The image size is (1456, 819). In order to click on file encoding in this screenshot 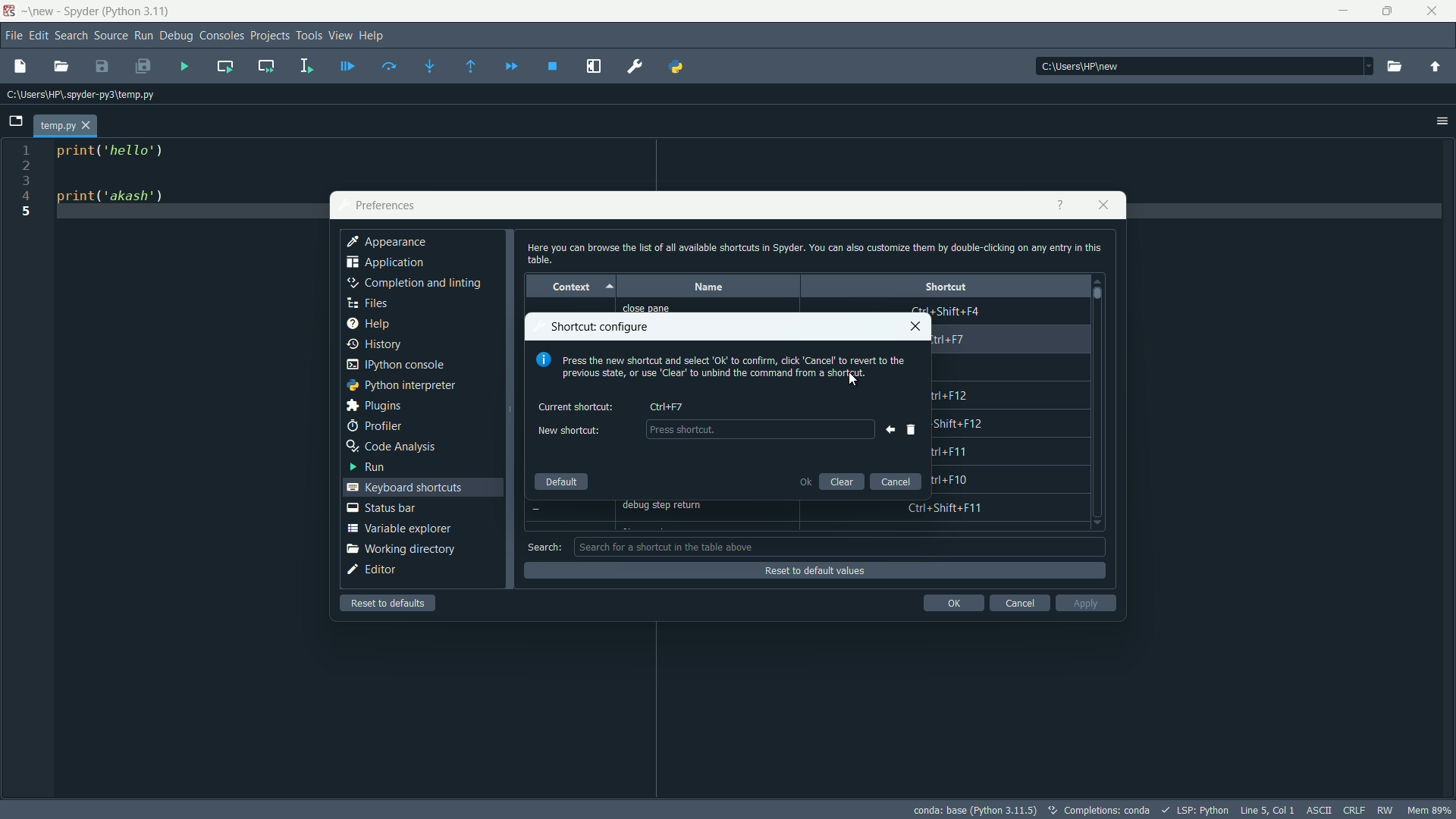, I will do `click(1316, 809)`.